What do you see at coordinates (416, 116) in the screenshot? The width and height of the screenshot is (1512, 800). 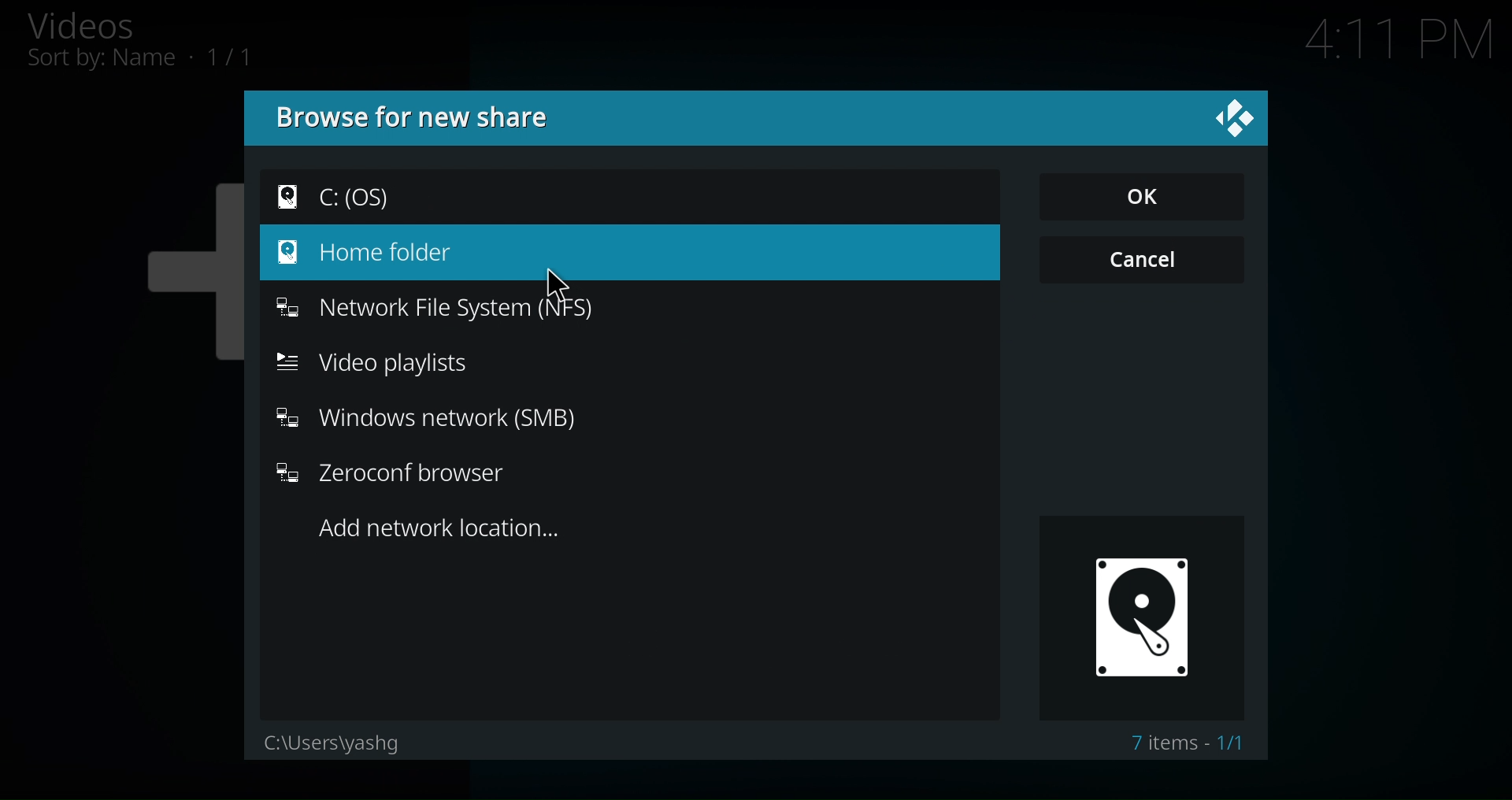 I see `Browse new share` at bounding box center [416, 116].